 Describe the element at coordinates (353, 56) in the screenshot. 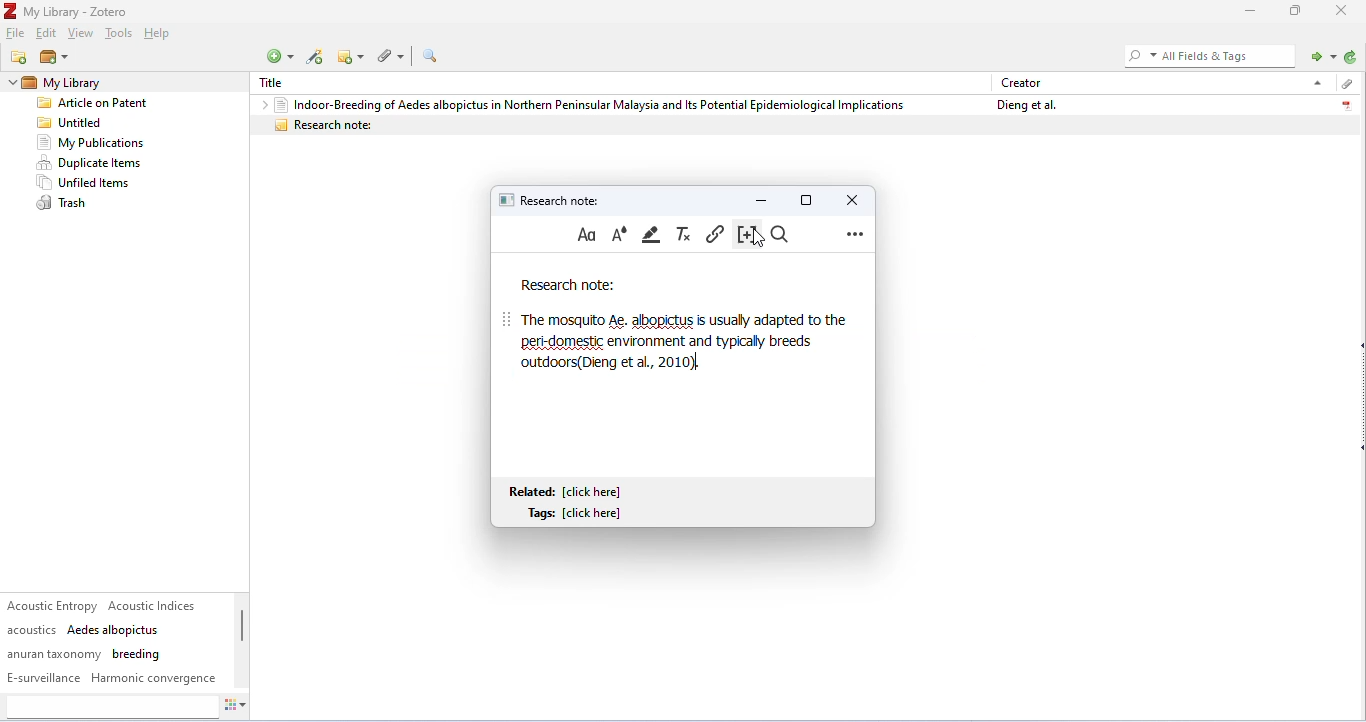

I see `new note` at that location.